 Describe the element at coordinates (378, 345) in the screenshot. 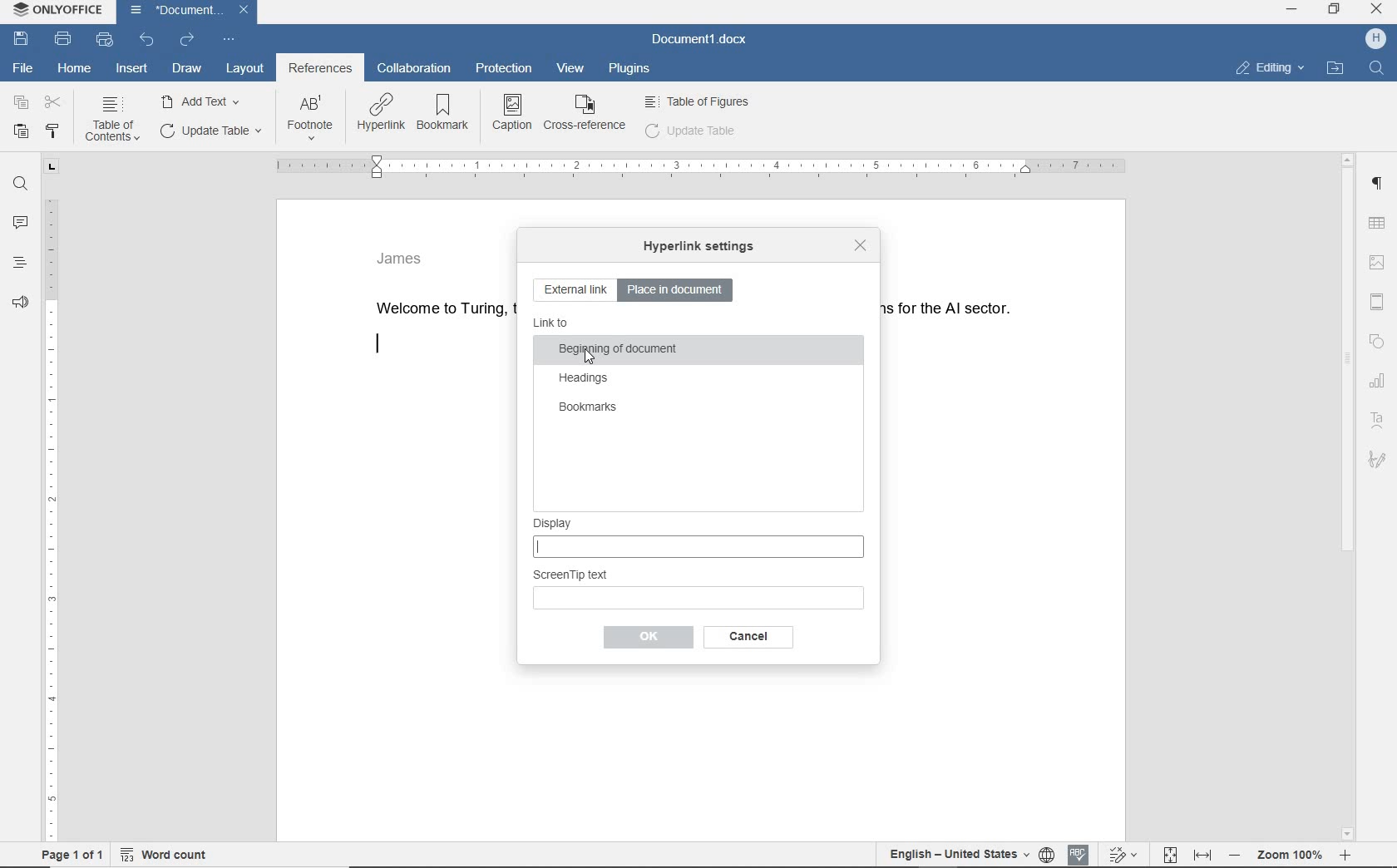

I see `editor line` at that location.